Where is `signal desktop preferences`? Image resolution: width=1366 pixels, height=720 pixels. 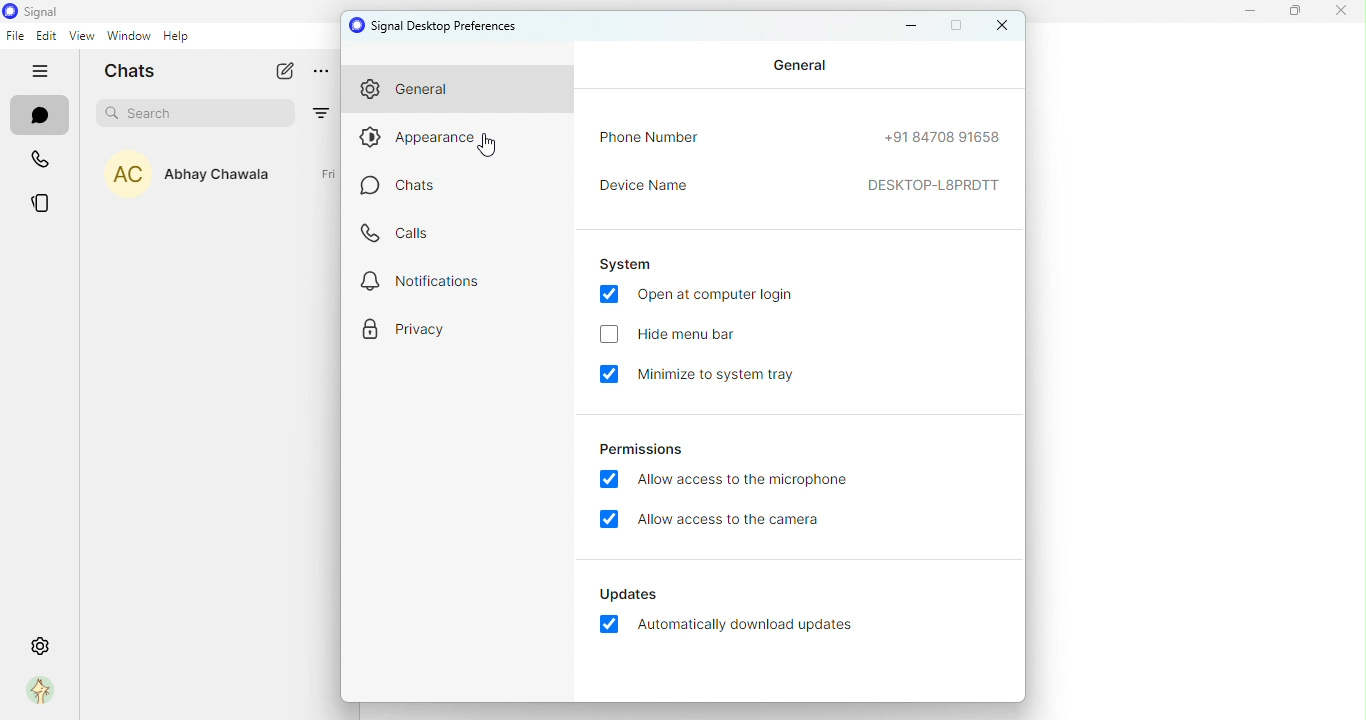
signal desktop preferences is located at coordinates (439, 25).